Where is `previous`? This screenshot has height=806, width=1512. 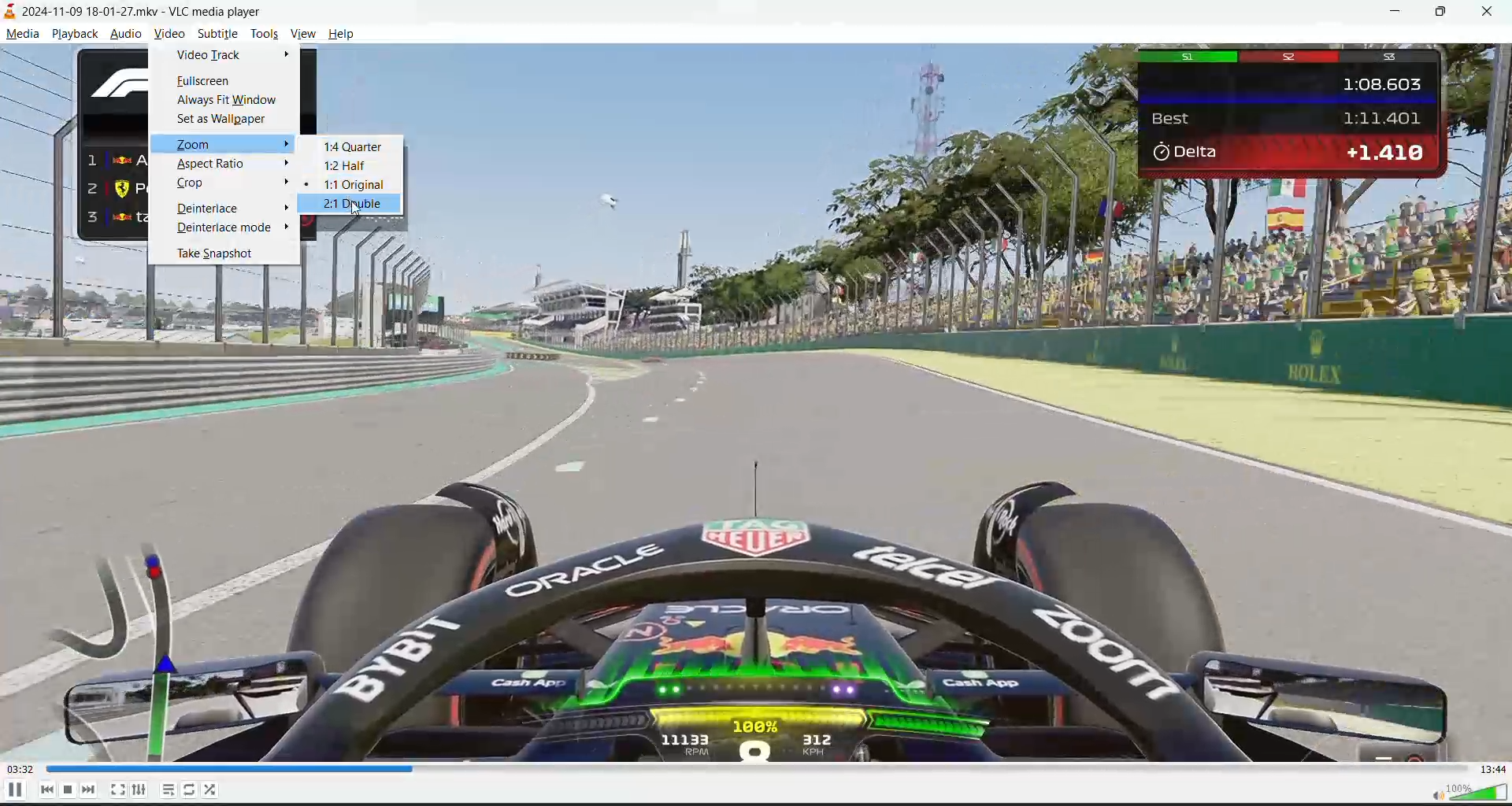 previous is located at coordinates (43, 790).